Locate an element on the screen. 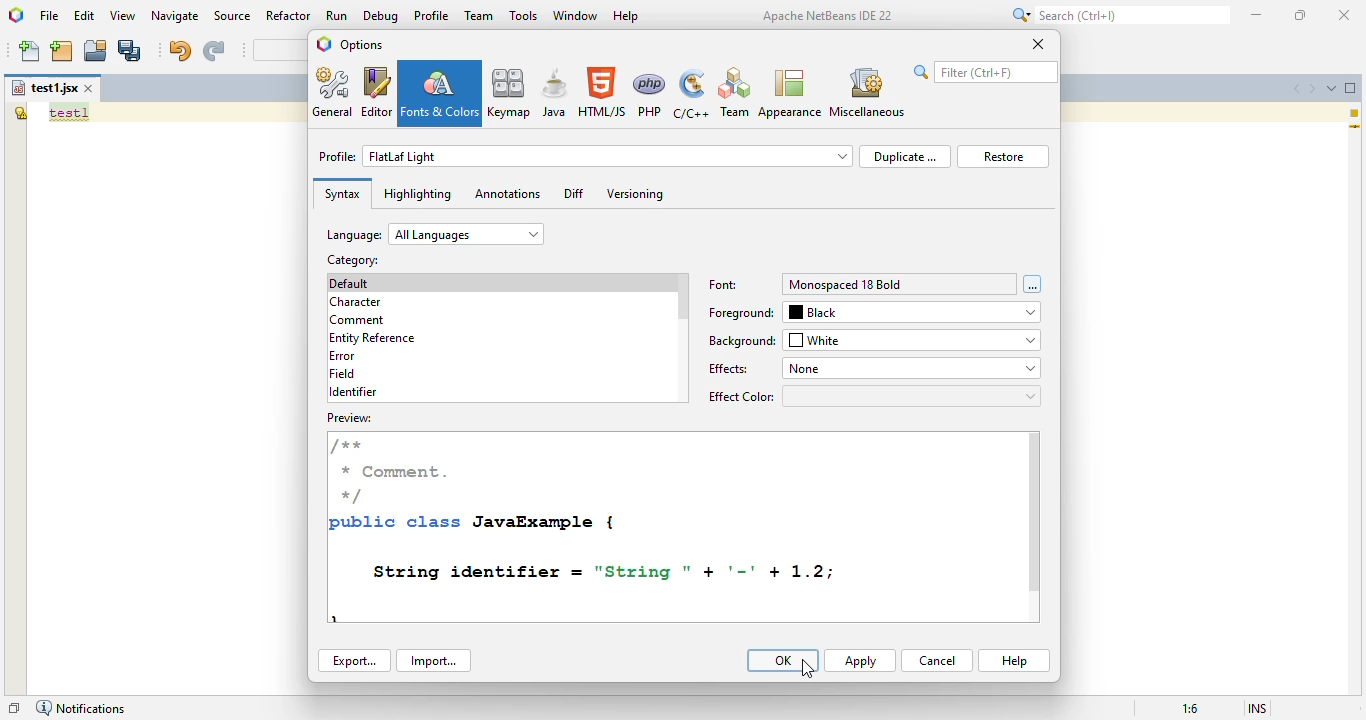 This screenshot has width=1366, height=720. black is located at coordinates (913, 312).